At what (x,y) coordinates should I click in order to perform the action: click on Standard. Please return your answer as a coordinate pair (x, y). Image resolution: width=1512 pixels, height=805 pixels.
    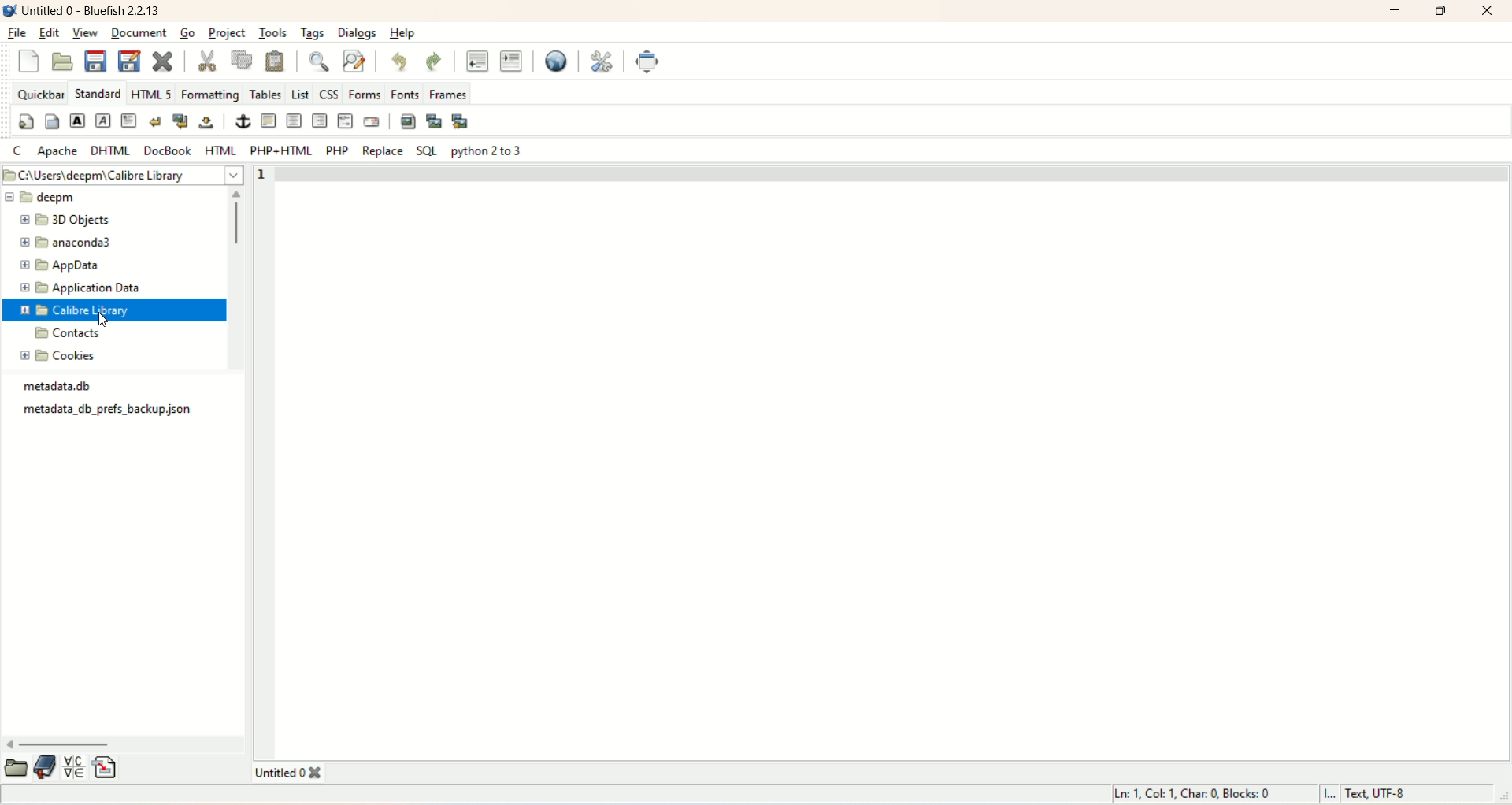
    Looking at the image, I should click on (96, 92).